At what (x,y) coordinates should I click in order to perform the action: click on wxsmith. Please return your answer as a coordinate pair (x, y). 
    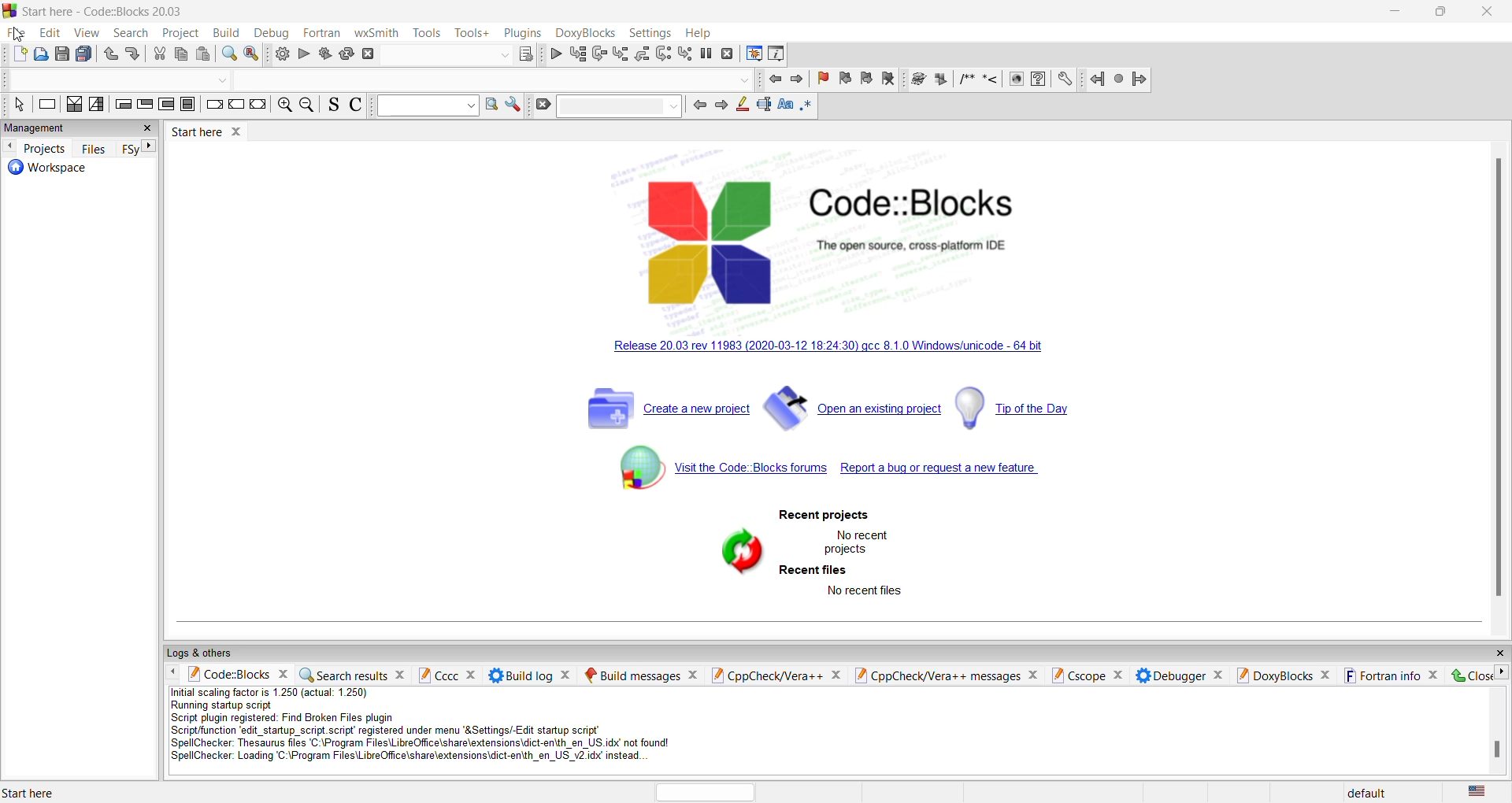
    Looking at the image, I should click on (376, 31).